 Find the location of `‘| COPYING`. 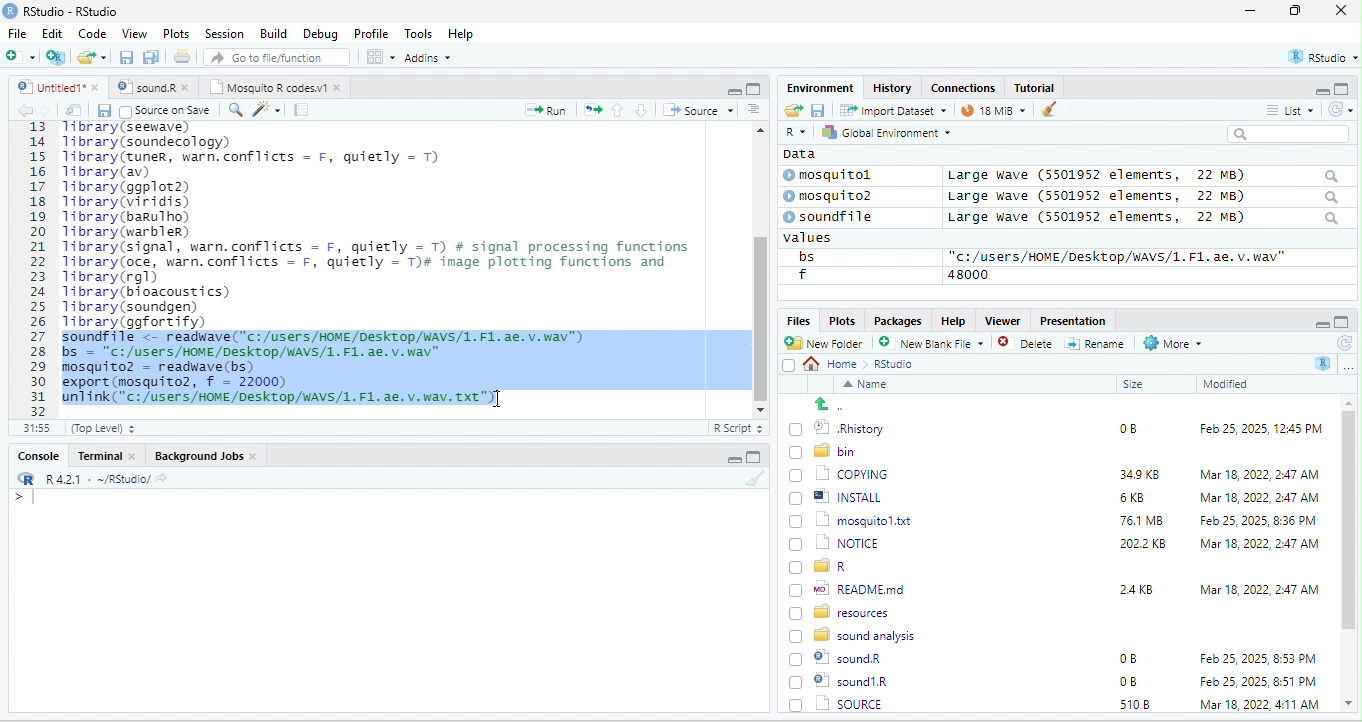

‘| COPYING is located at coordinates (839, 473).